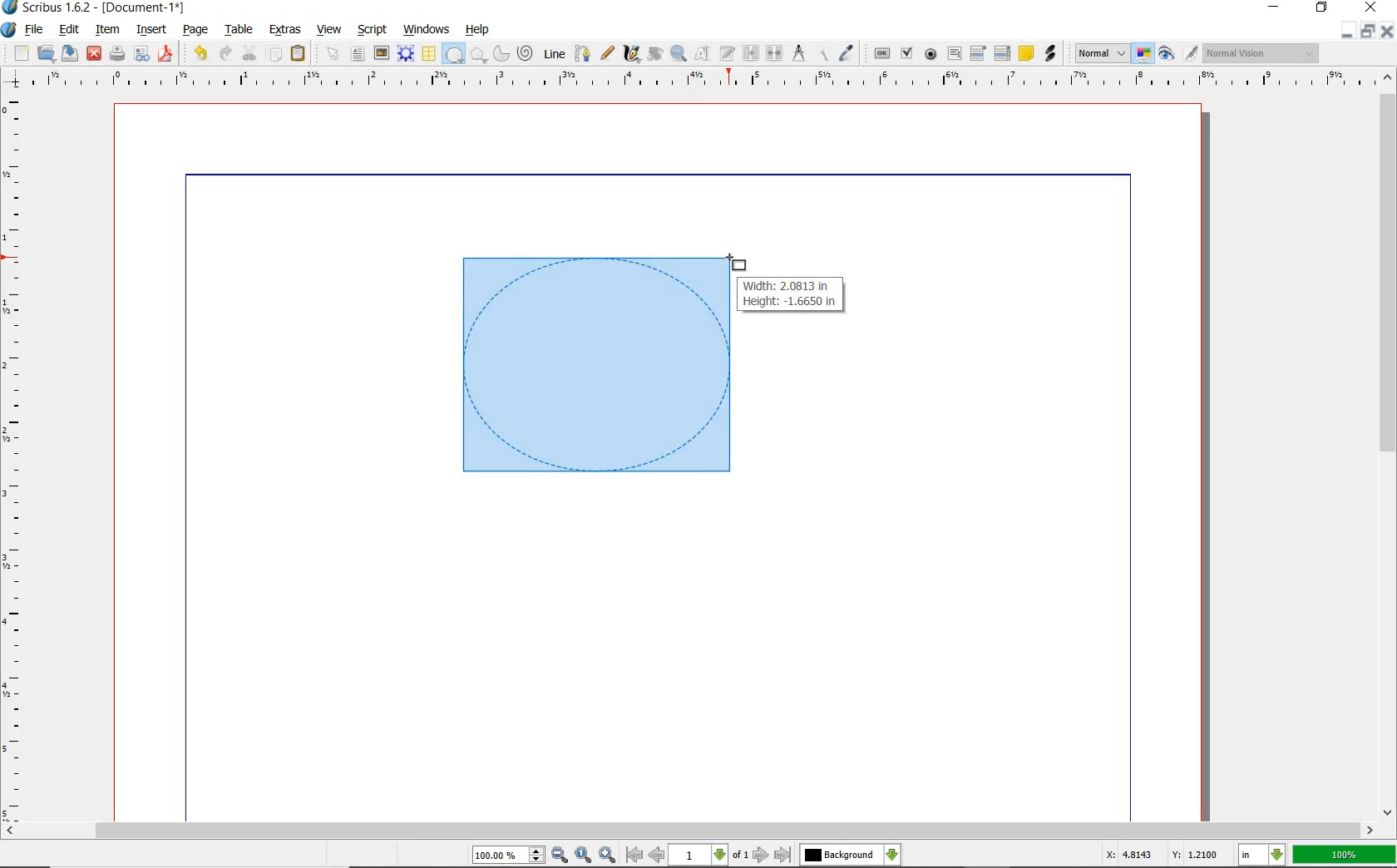  Describe the element at coordinates (782, 856) in the screenshot. I see `last` at that location.